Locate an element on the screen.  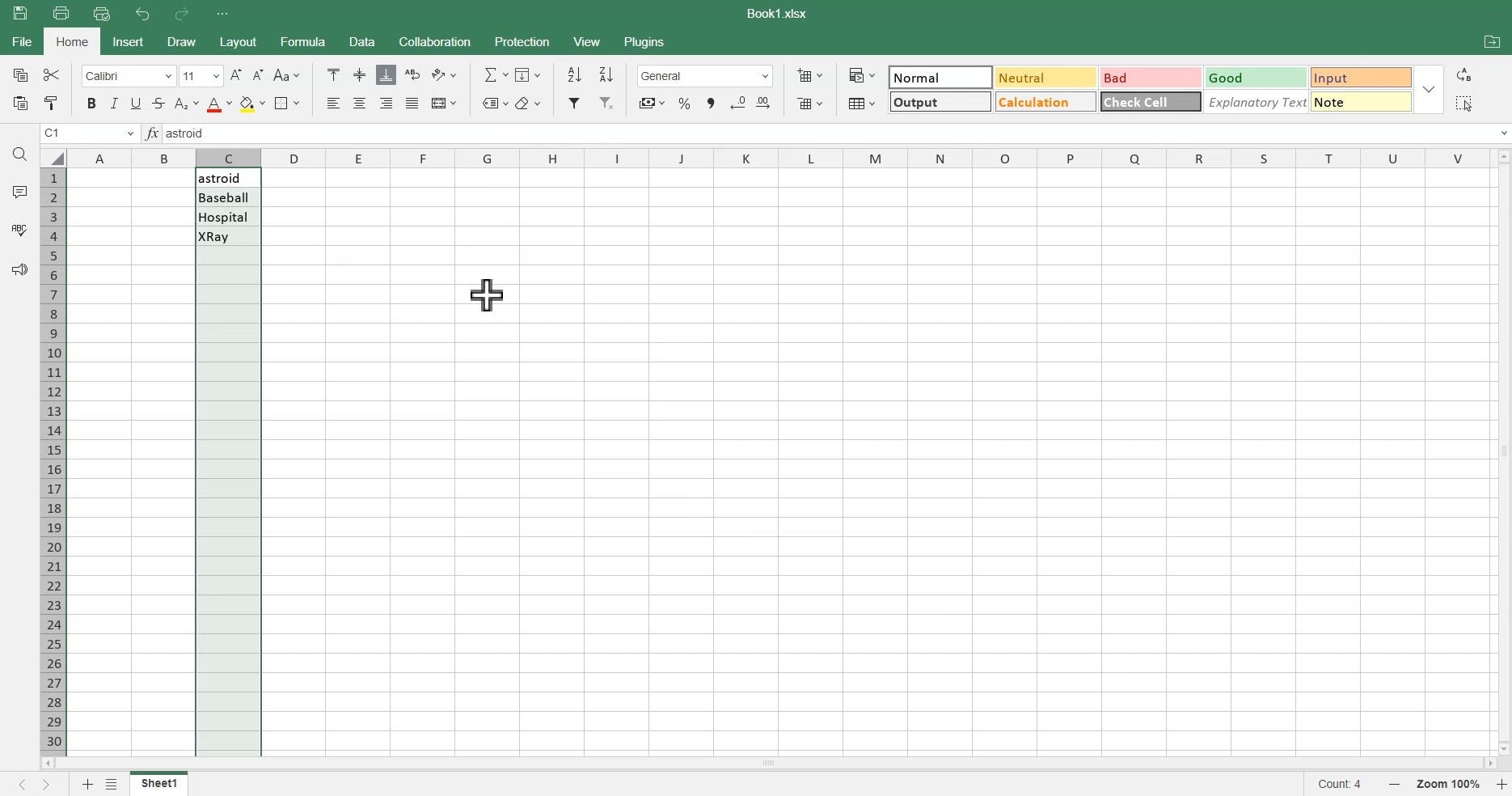
Conditioning Format is located at coordinates (861, 74).